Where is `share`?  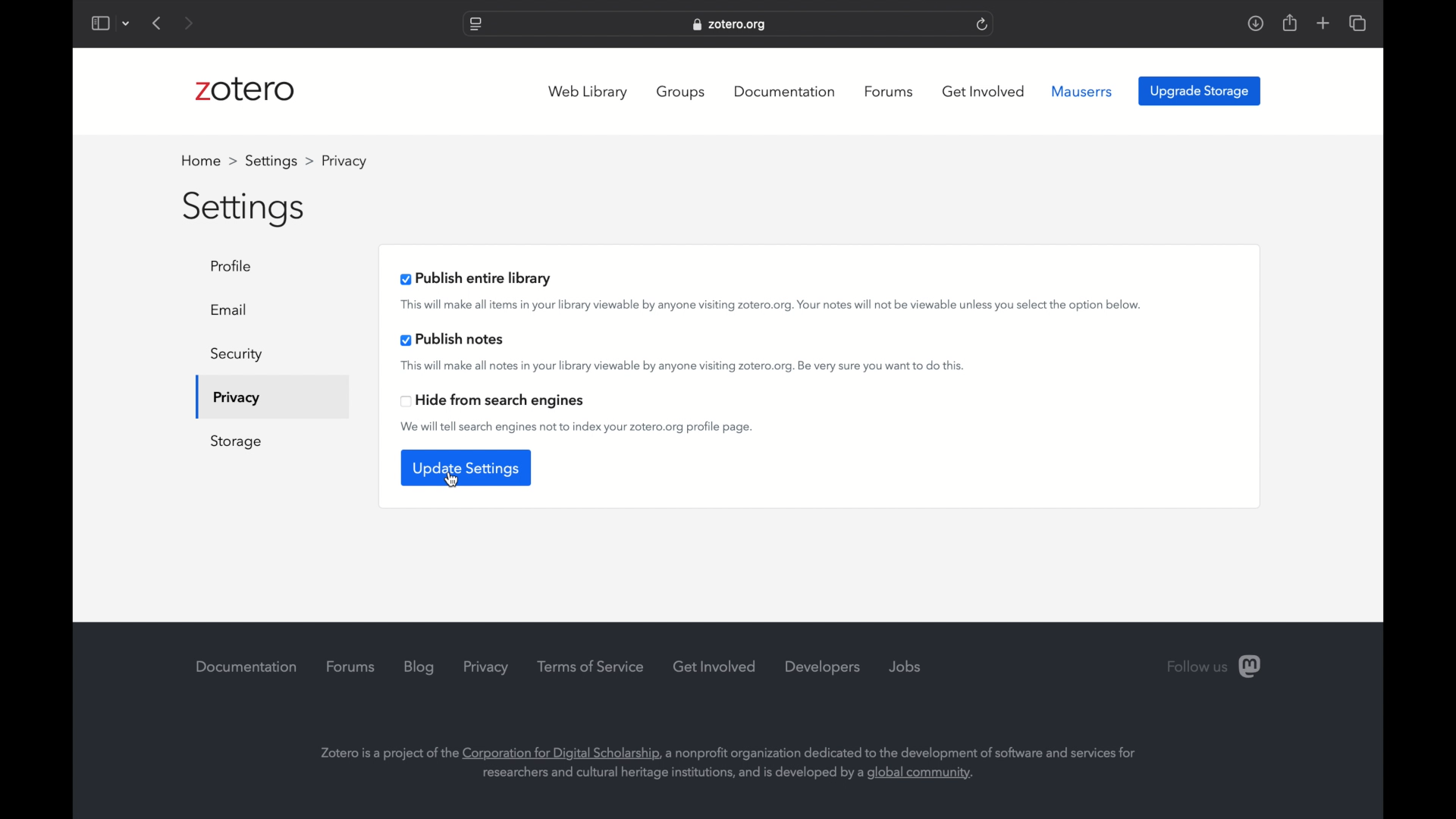
share is located at coordinates (1288, 23).